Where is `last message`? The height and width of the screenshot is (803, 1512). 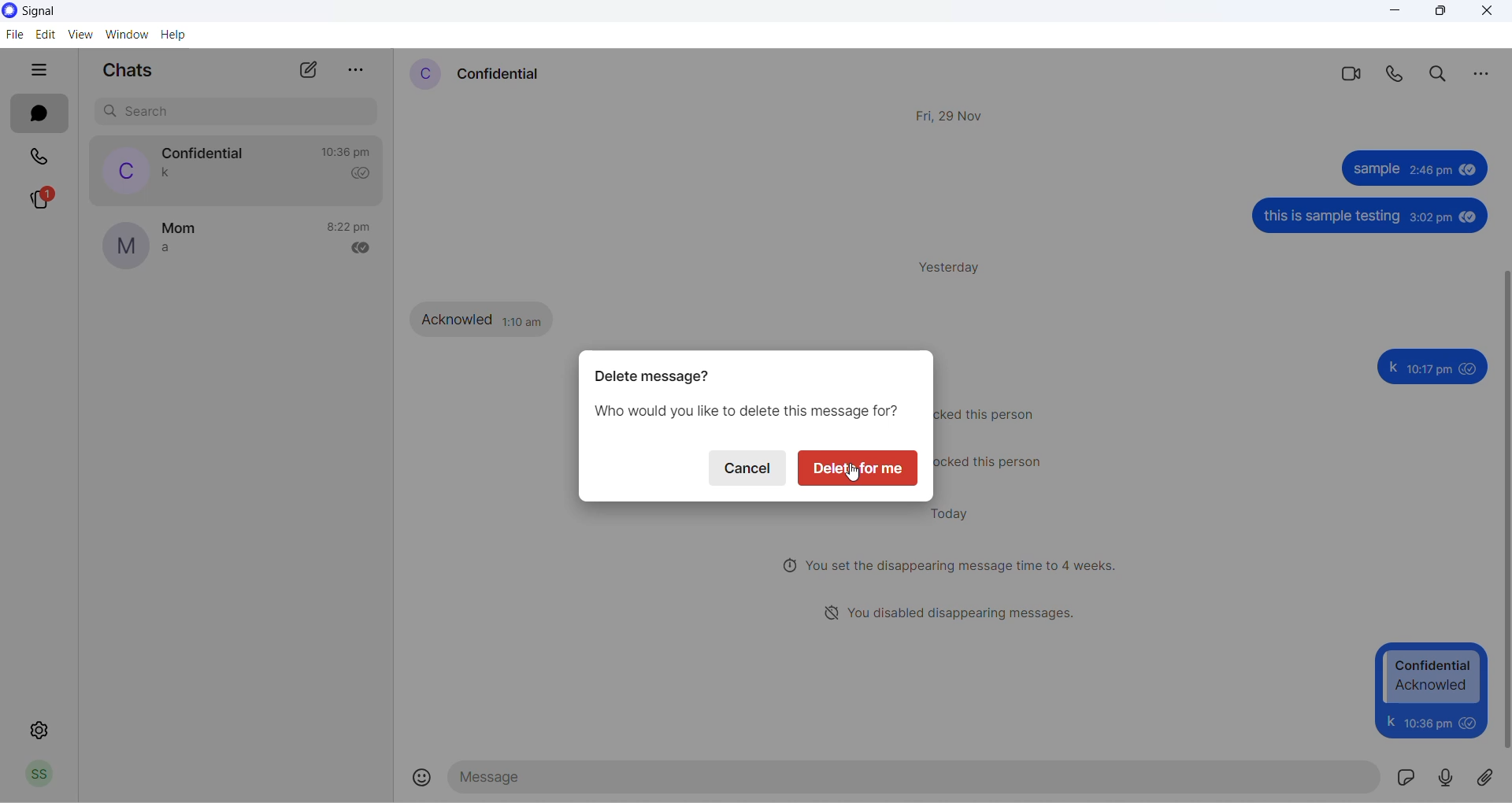 last message is located at coordinates (169, 174).